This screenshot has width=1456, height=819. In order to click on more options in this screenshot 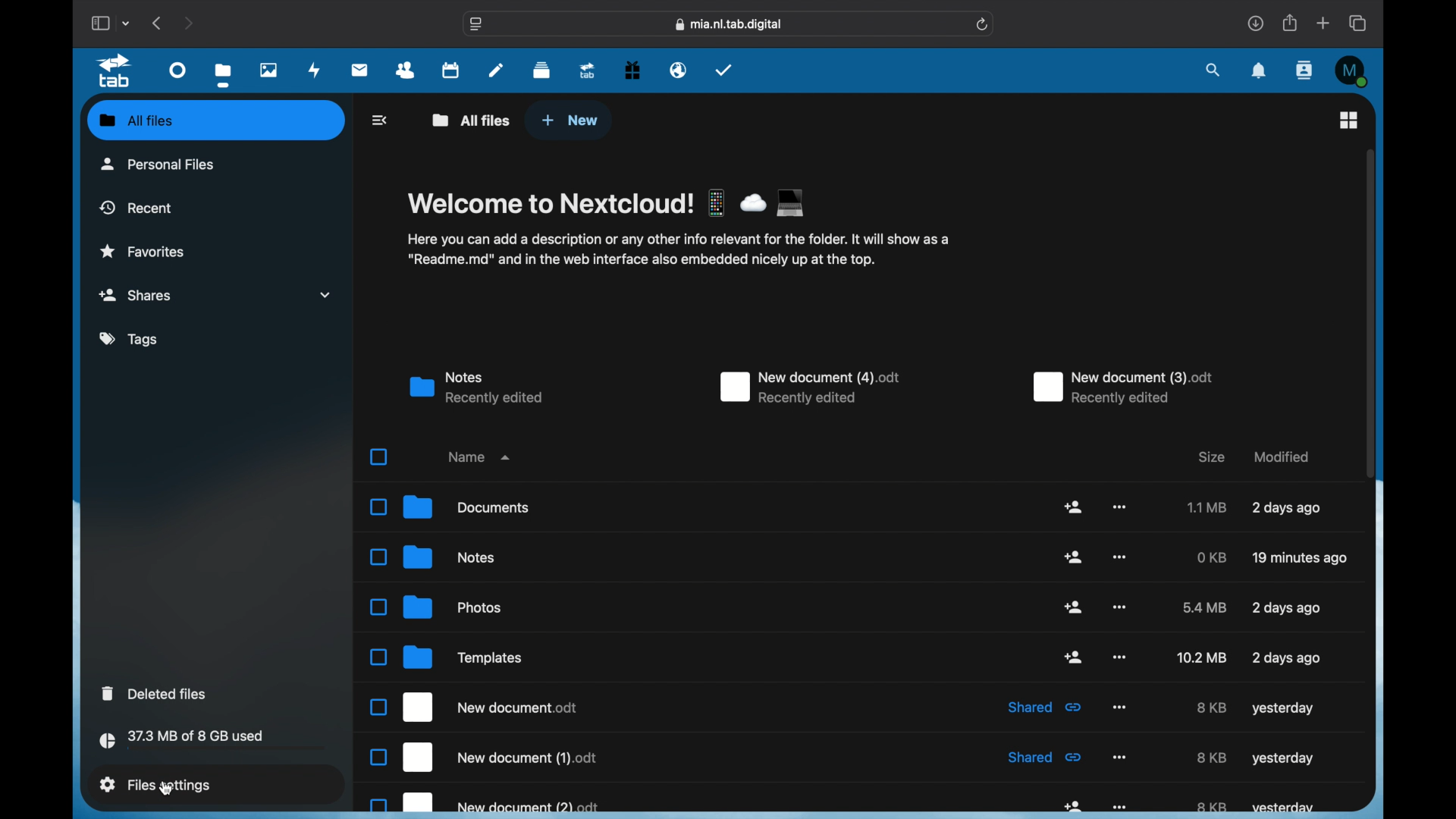, I will do `click(1119, 607)`.